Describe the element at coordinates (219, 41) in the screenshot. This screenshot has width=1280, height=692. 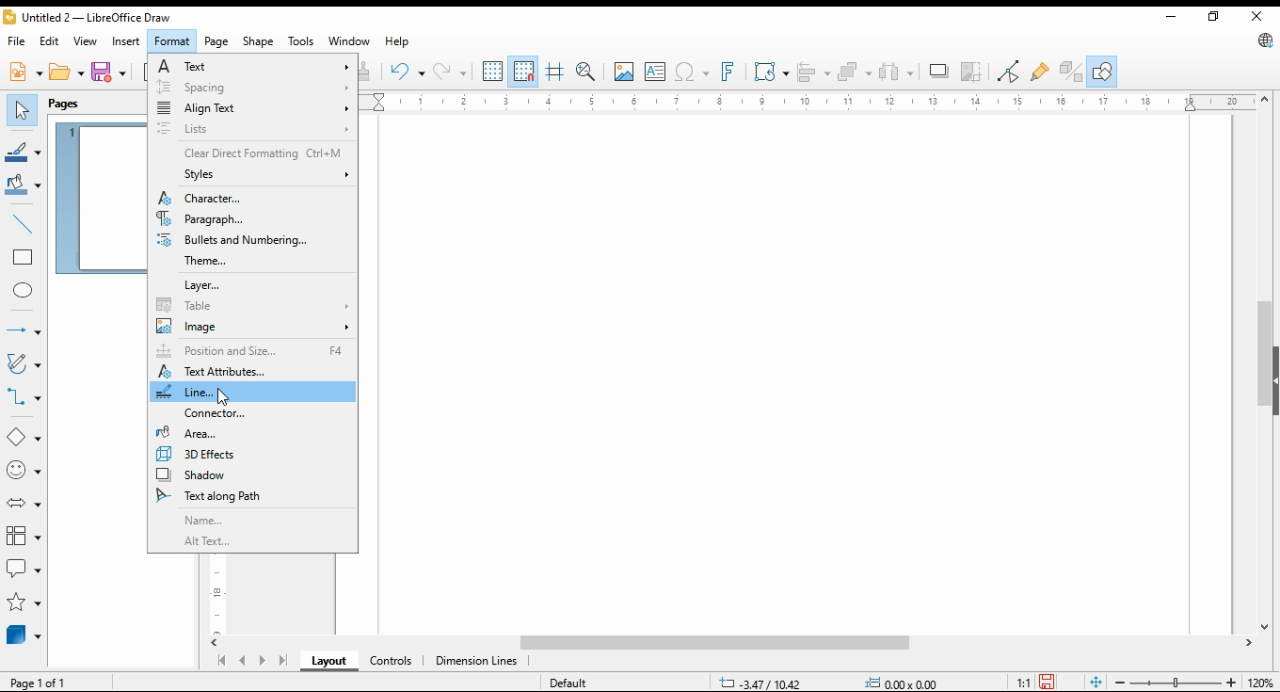
I see `page` at that location.